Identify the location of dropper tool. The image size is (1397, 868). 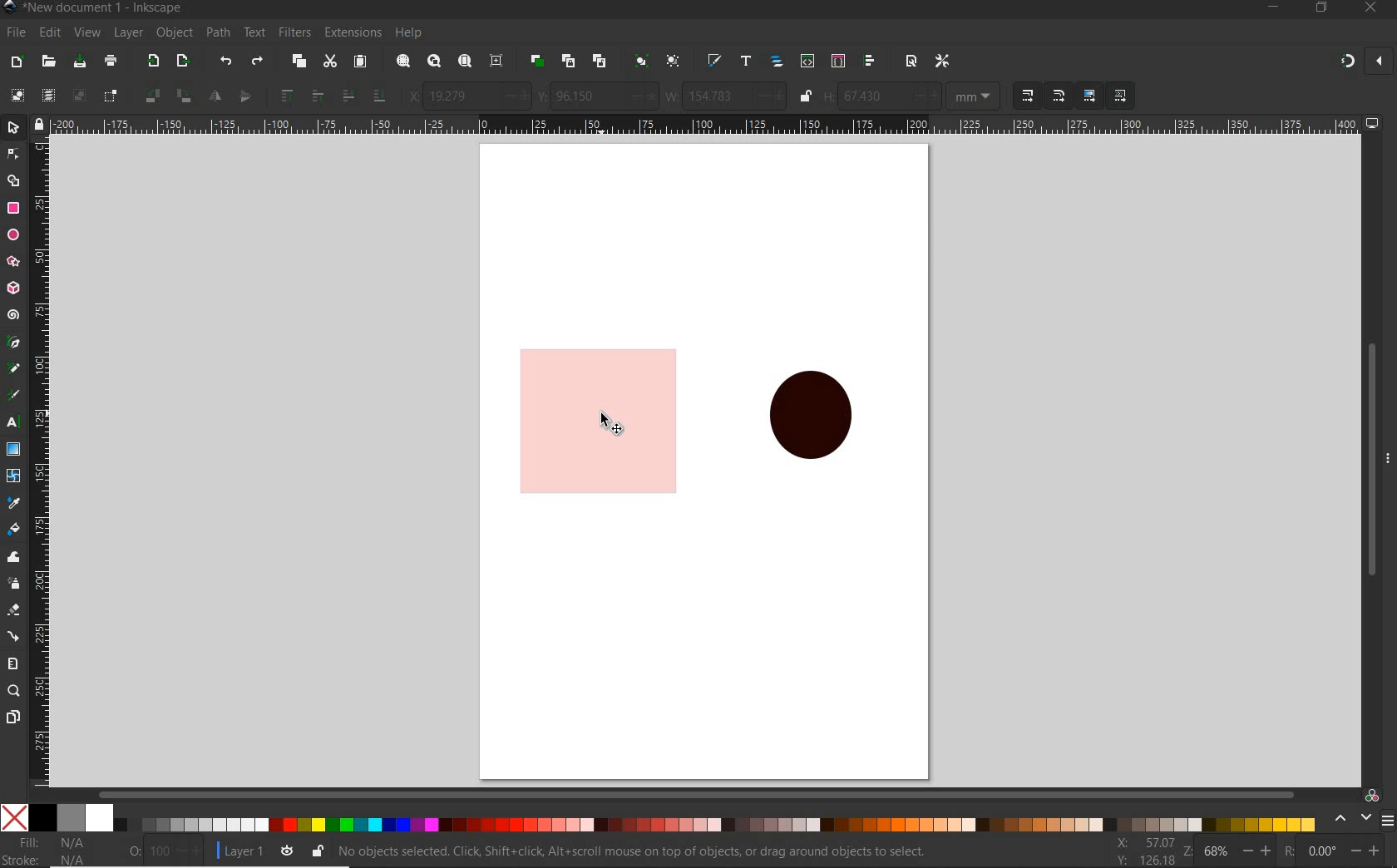
(12, 501).